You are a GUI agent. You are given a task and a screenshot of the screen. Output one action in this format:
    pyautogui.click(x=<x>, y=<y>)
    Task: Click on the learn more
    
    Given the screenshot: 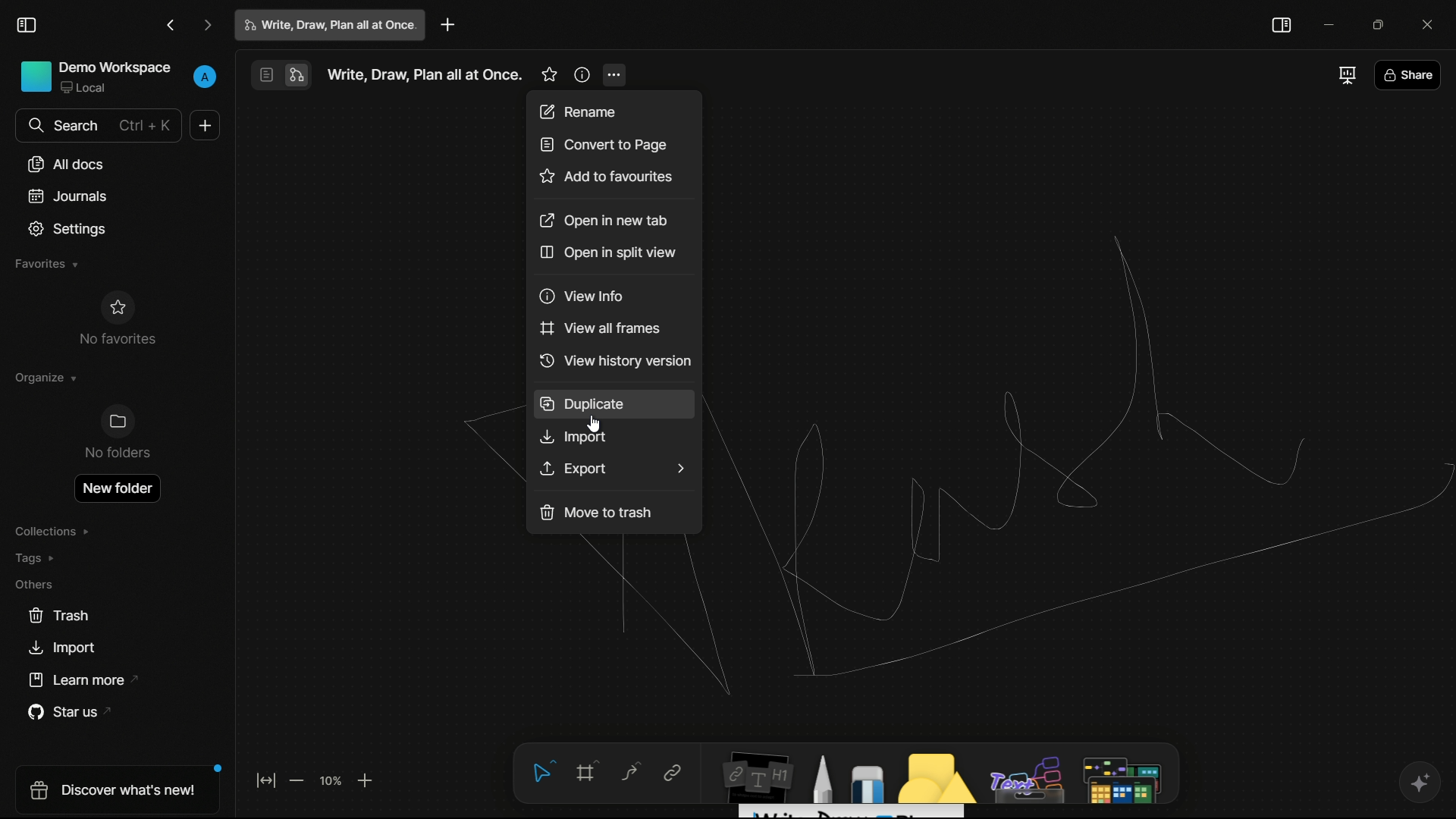 What is the action you would take?
    pyautogui.click(x=75, y=681)
    